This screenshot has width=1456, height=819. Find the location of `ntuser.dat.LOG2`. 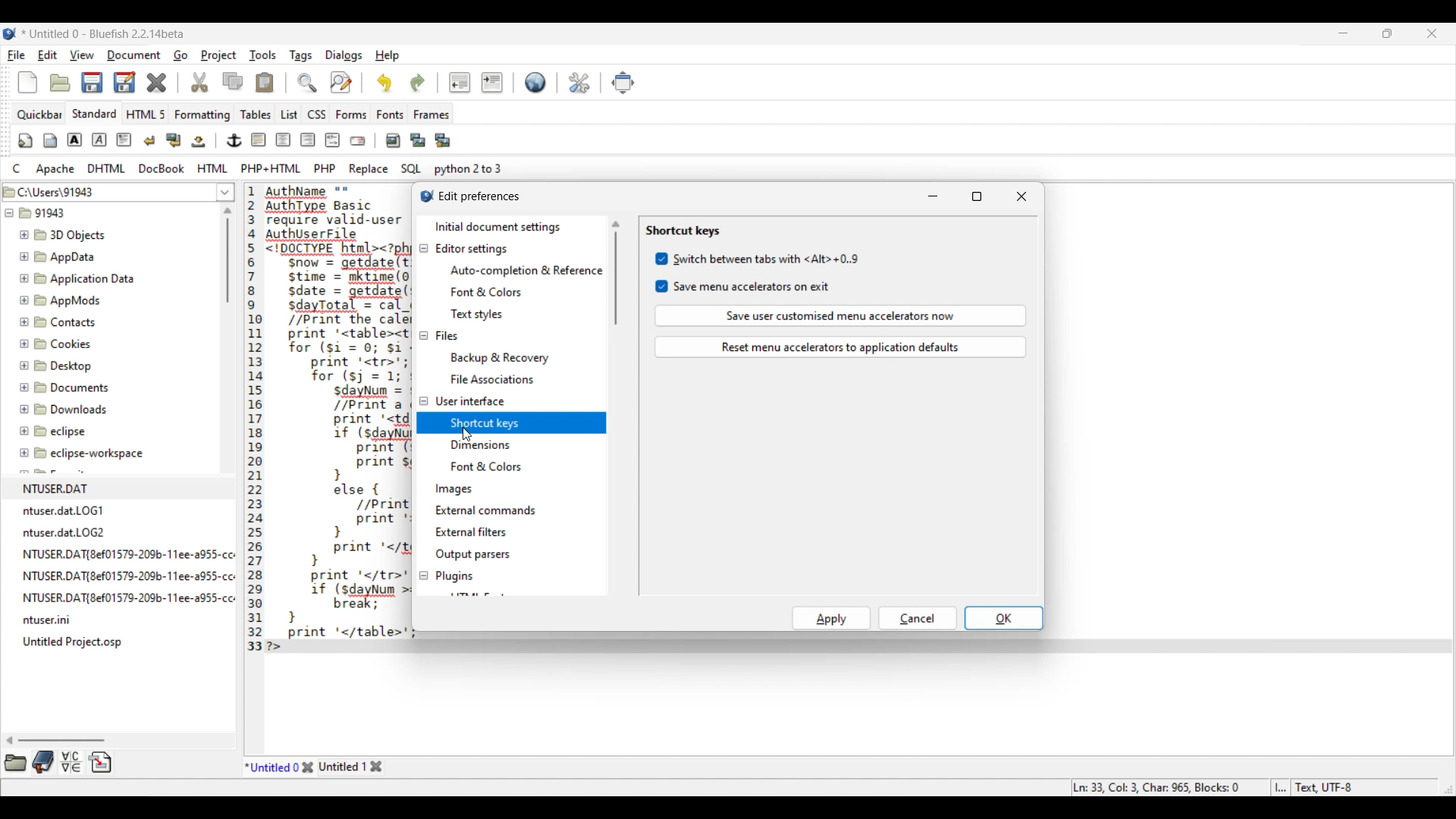

ntuser.dat.LOG2 is located at coordinates (69, 531).